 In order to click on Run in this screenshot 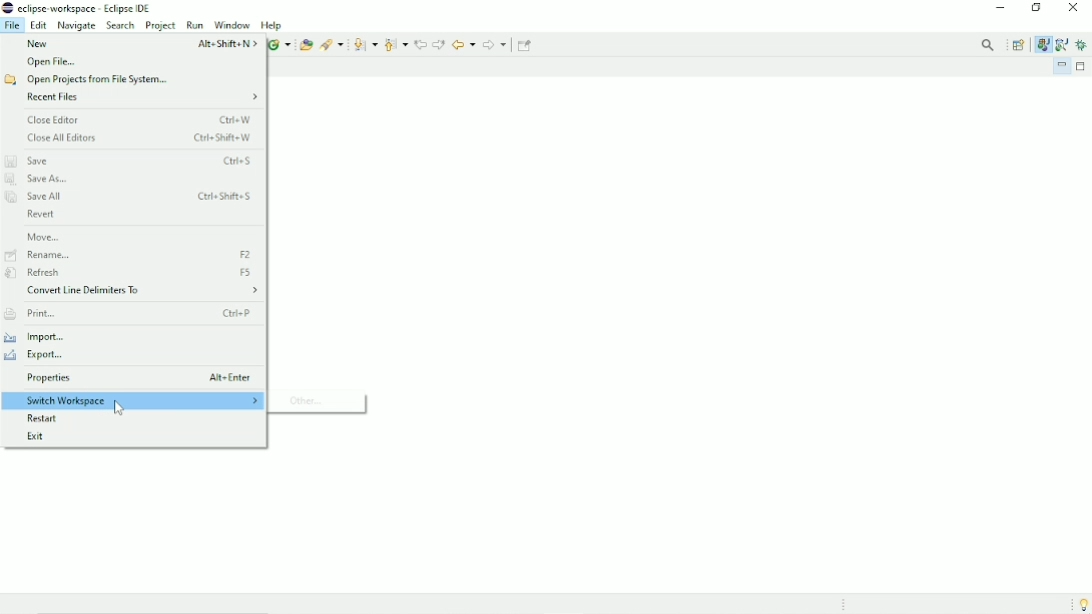, I will do `click(195, 25)`.